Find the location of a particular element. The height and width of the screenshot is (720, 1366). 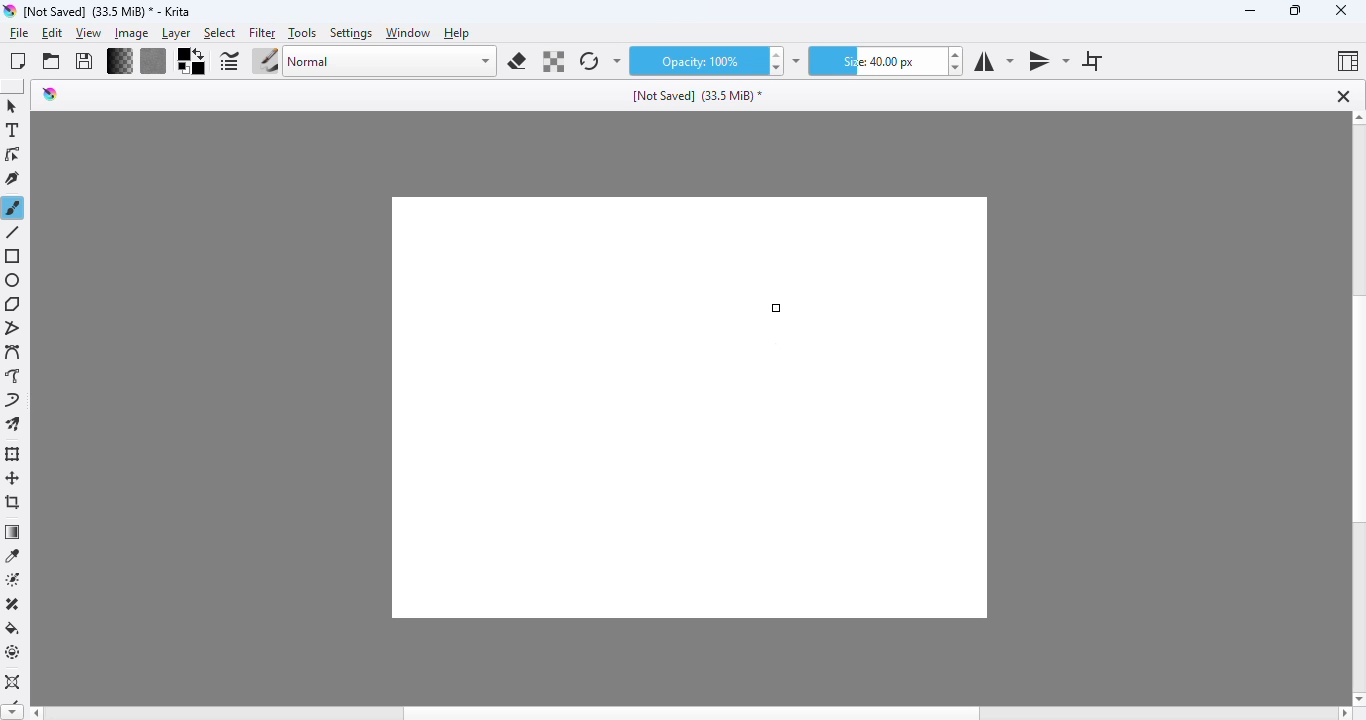

close is located at coordinates (1341, 11).